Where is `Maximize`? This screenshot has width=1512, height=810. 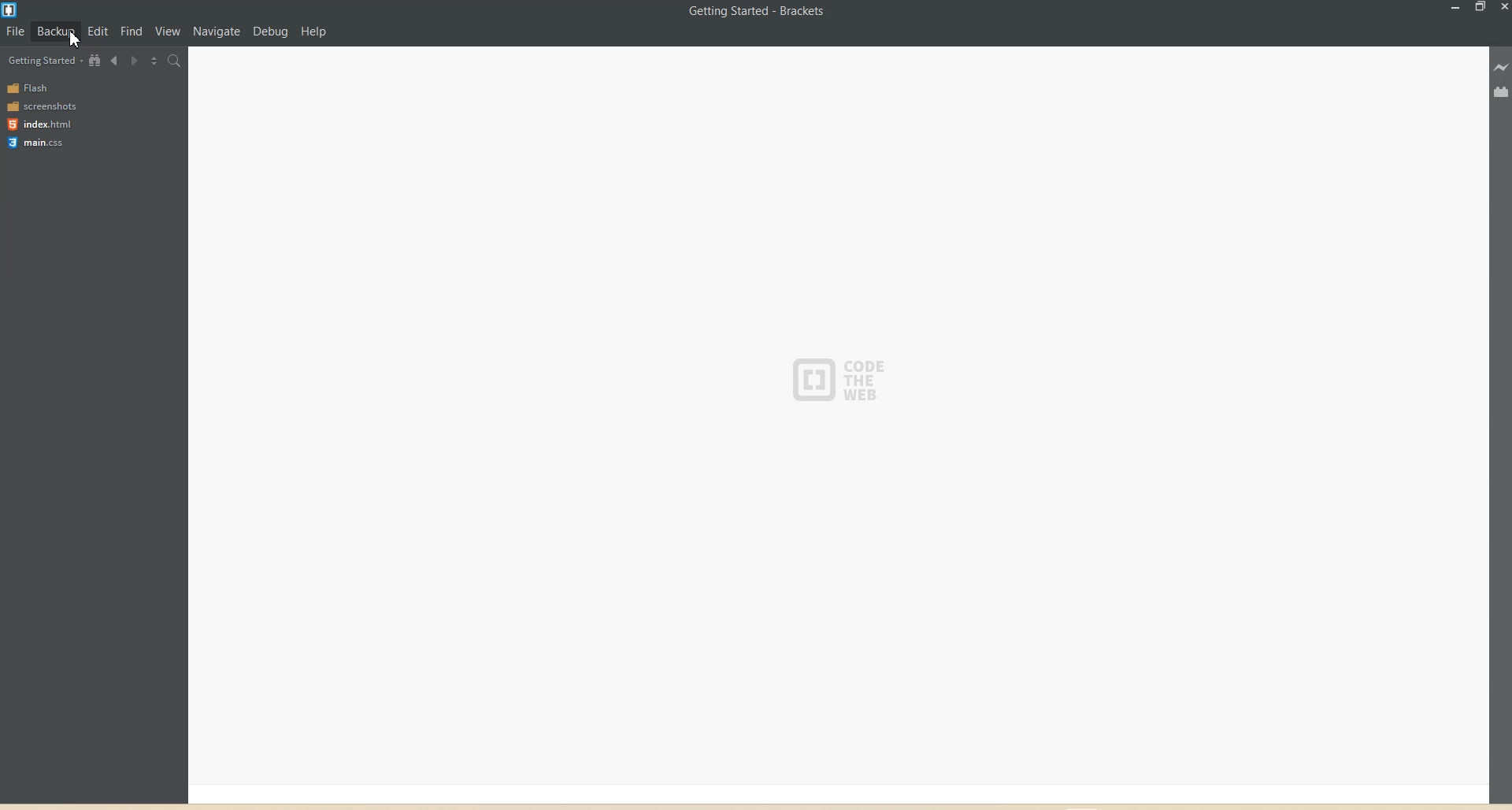
Maximize is located at coordinates (1480, 8).